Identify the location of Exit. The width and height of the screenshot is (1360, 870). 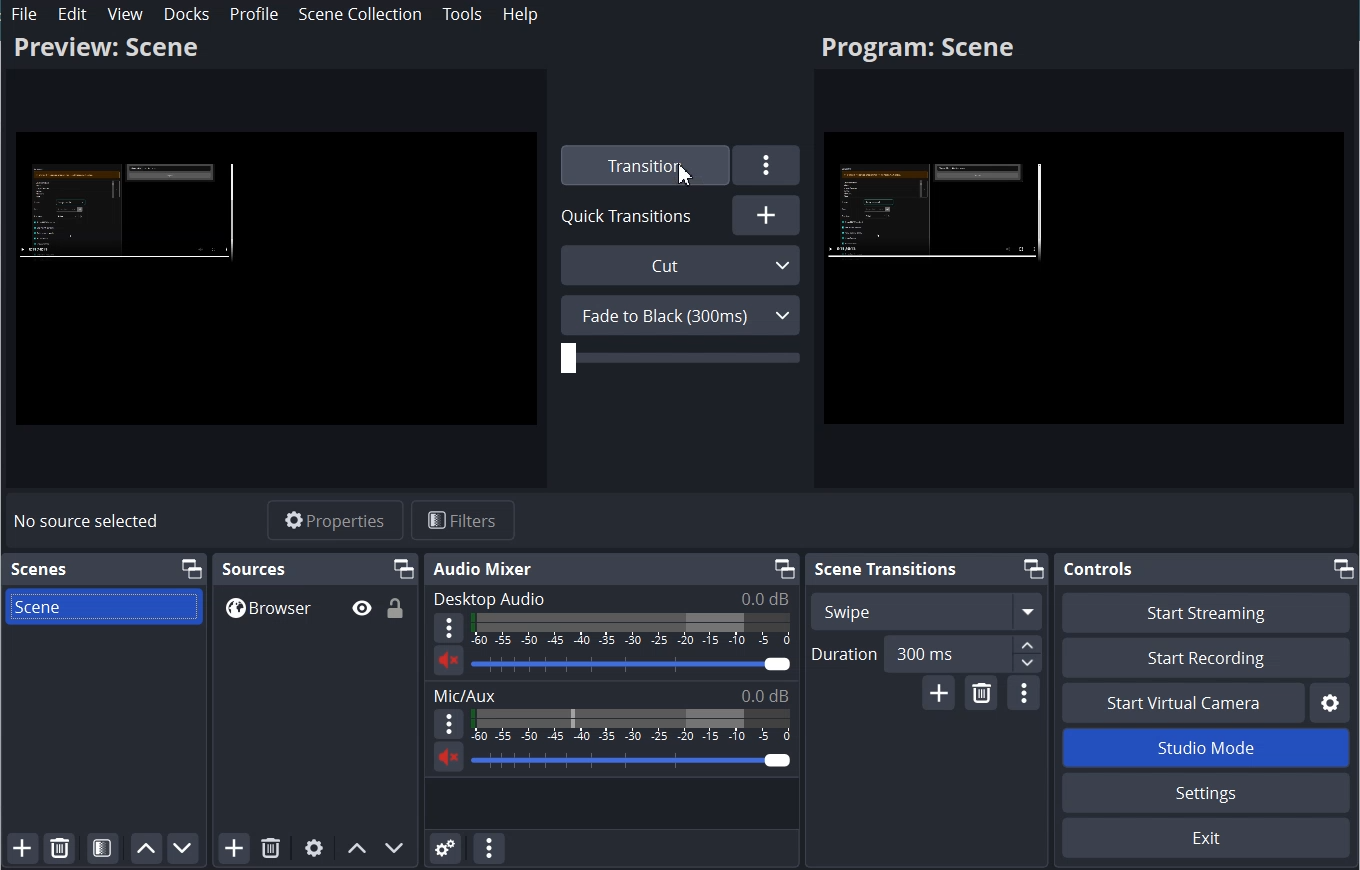
(1204, 839).